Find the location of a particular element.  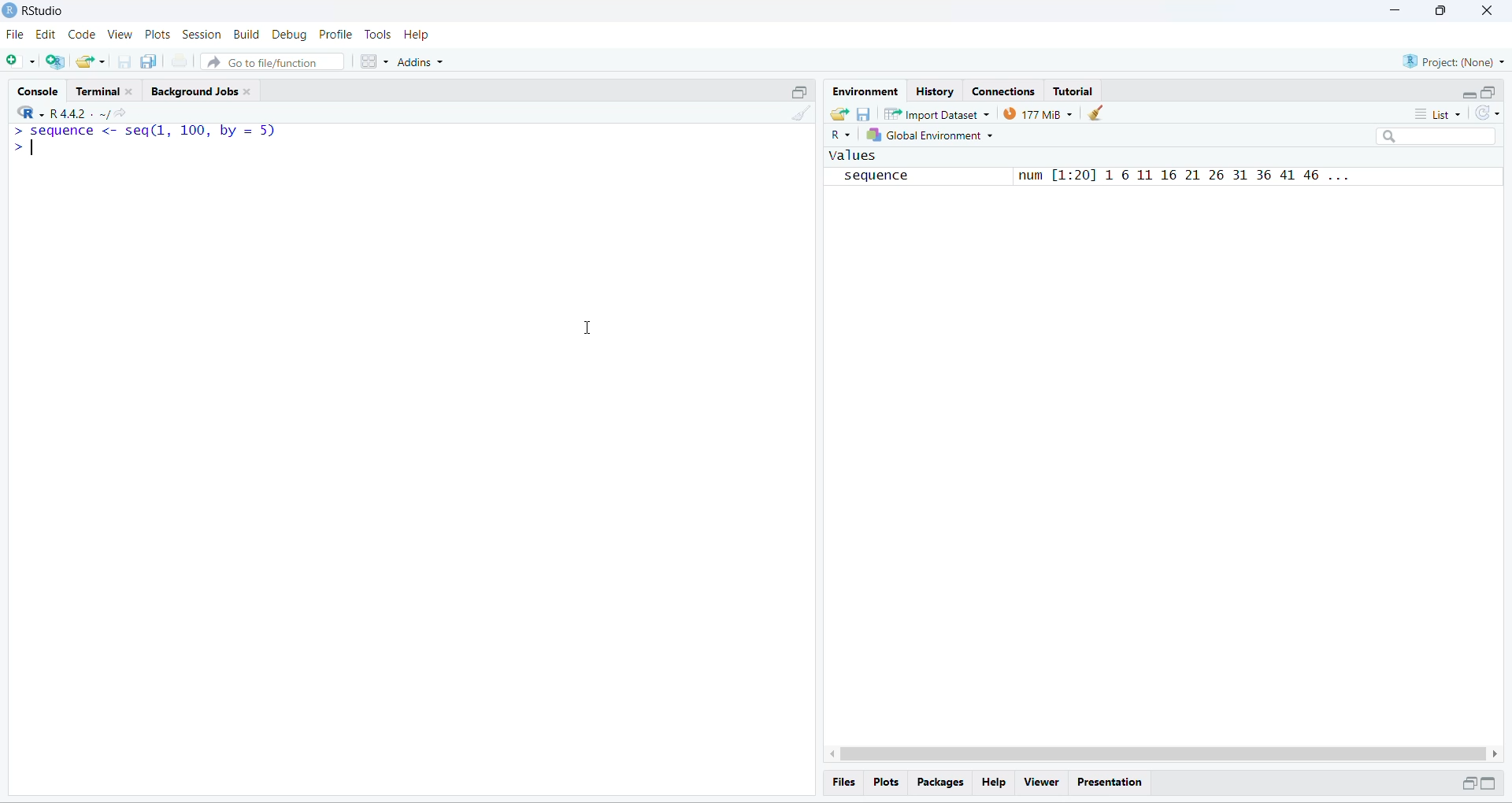

open in separate window is located at coordinates (1467, 783).